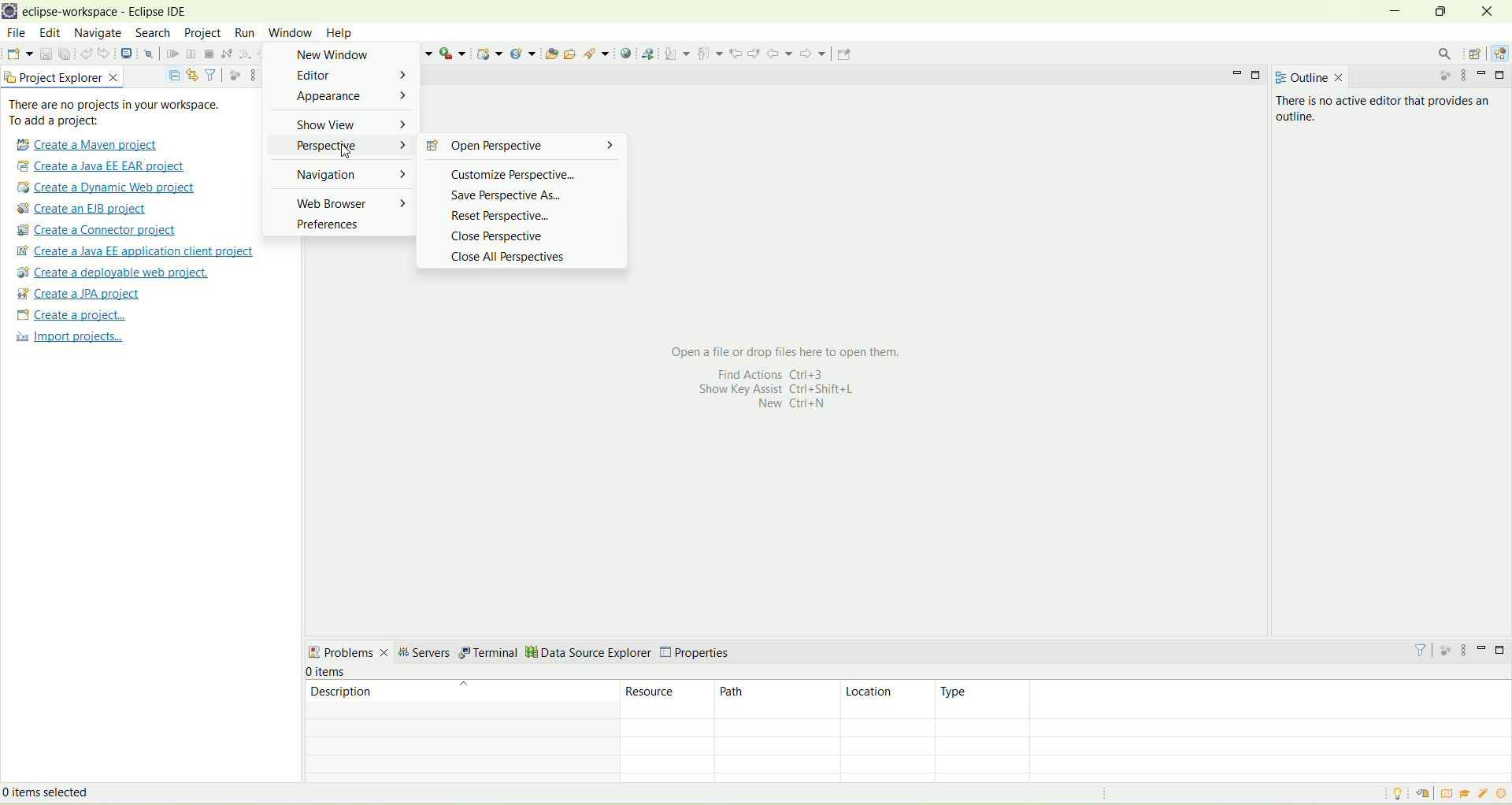  I want to click on samples, so click(1484, 794).